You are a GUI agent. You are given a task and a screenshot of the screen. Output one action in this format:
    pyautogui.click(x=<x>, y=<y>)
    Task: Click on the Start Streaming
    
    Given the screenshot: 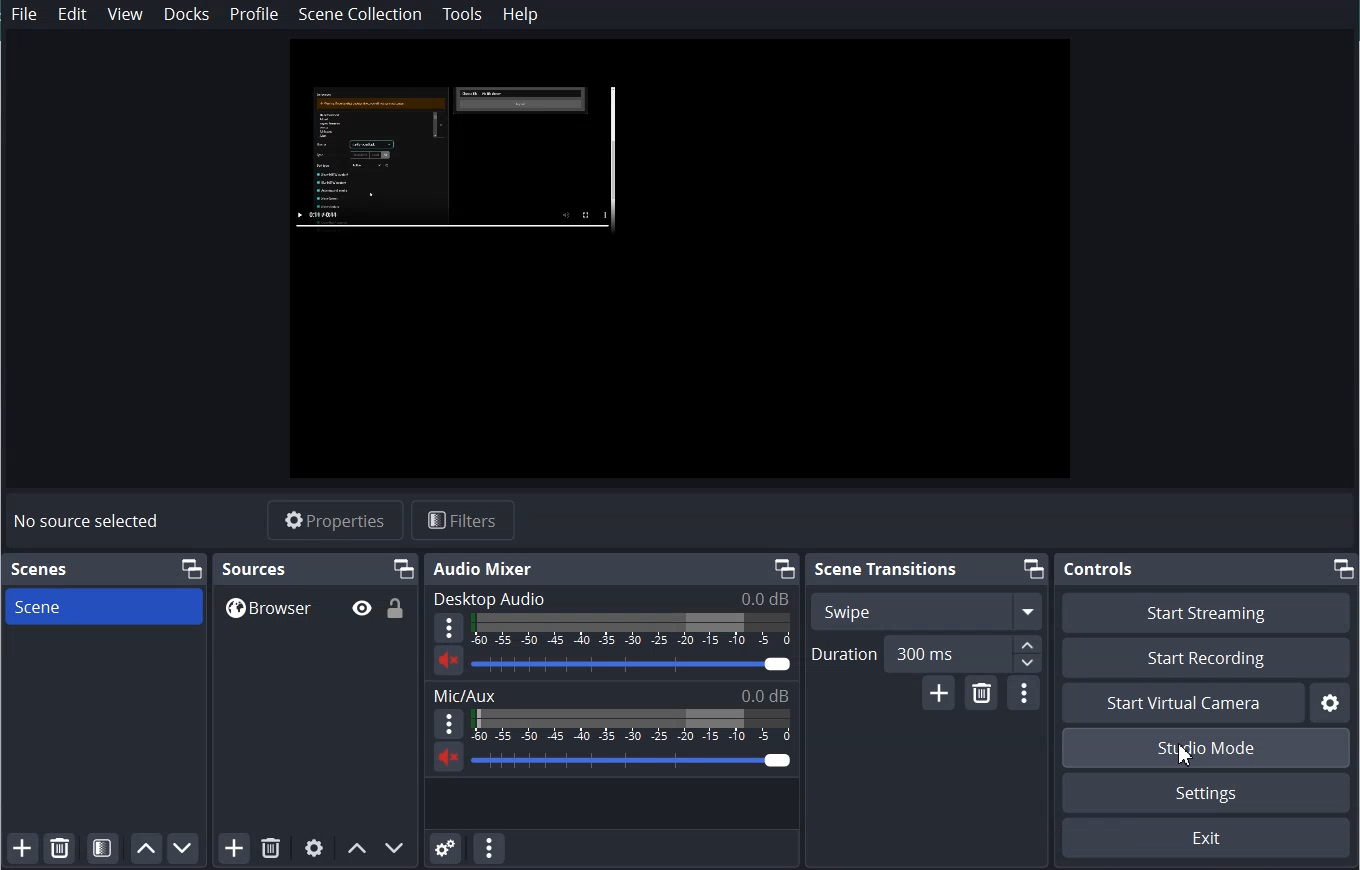 What is the action you would take?
    pyautogui.click(x=1205, y=611)
    